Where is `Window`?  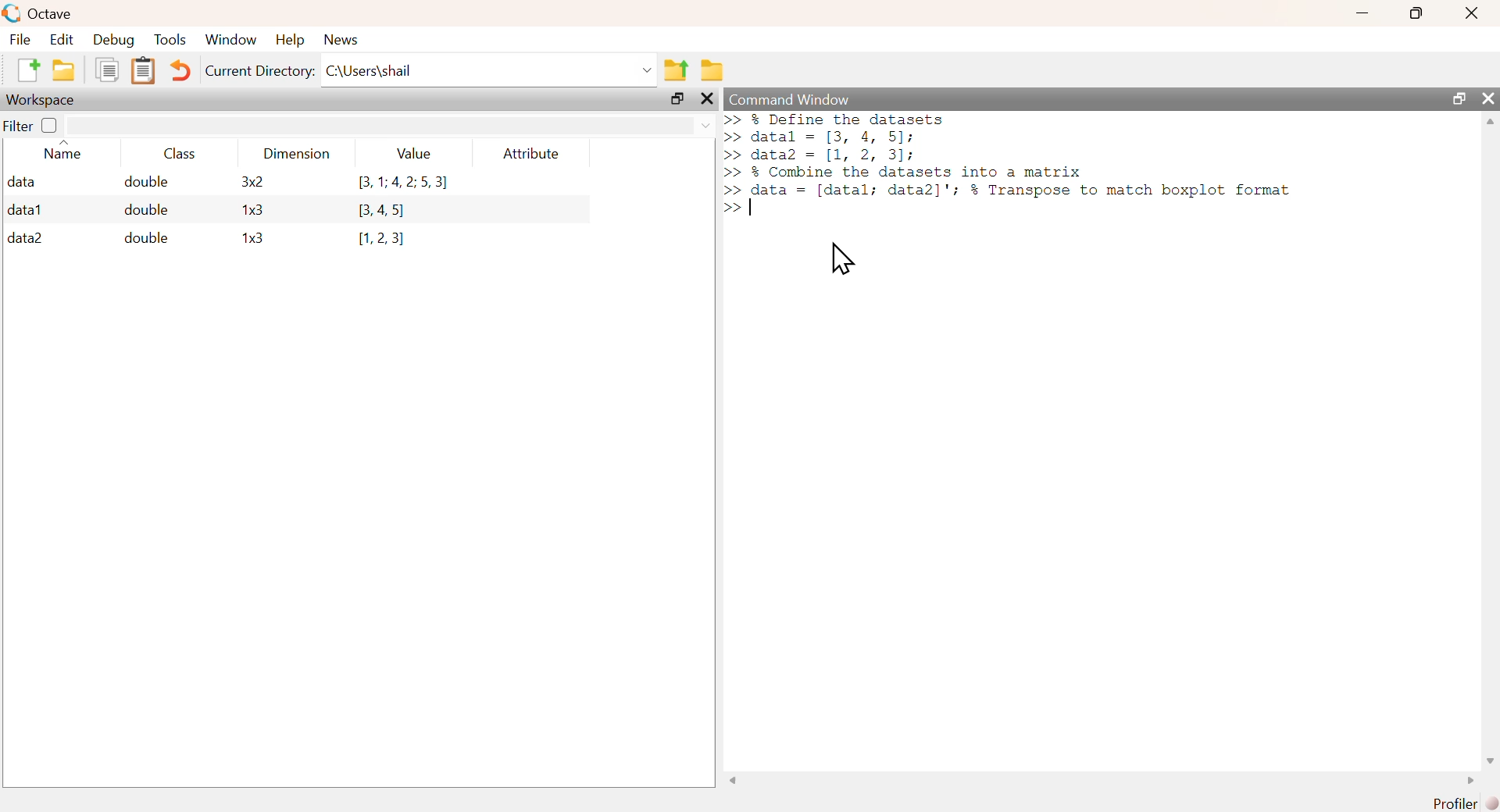 Window is located at coordinates (230, 40).